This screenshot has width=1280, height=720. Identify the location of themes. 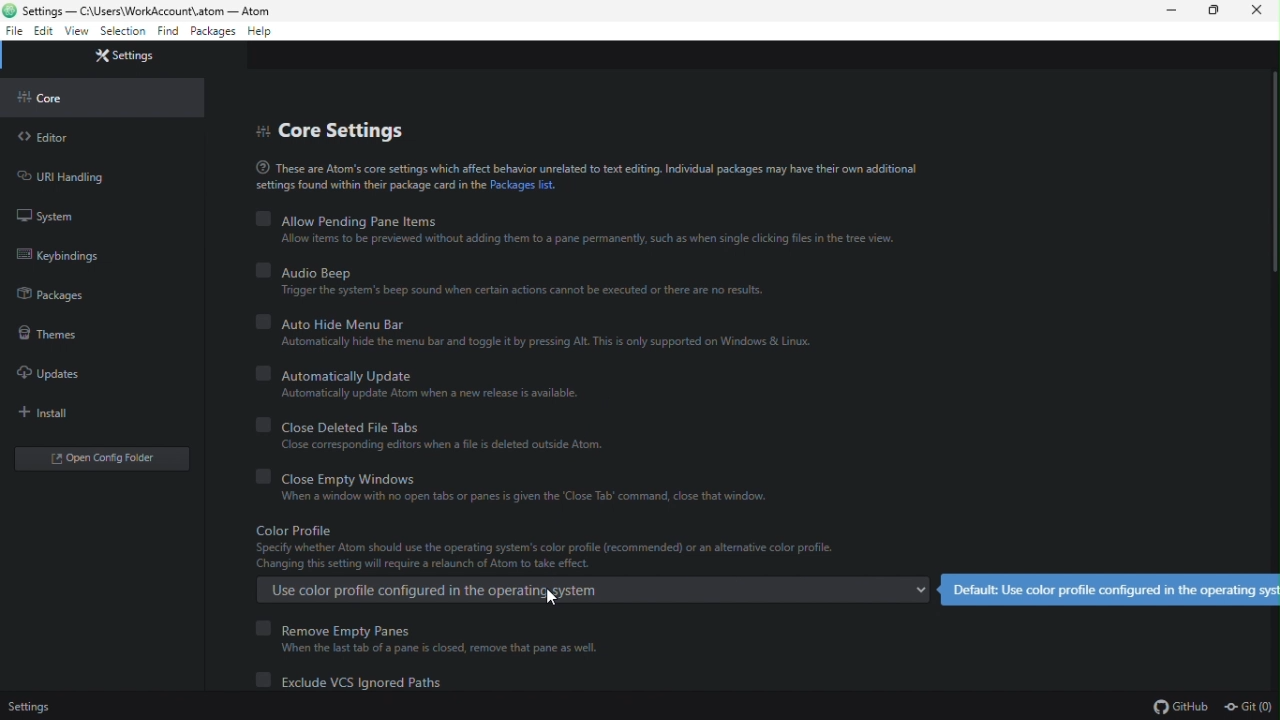
(50, 332).